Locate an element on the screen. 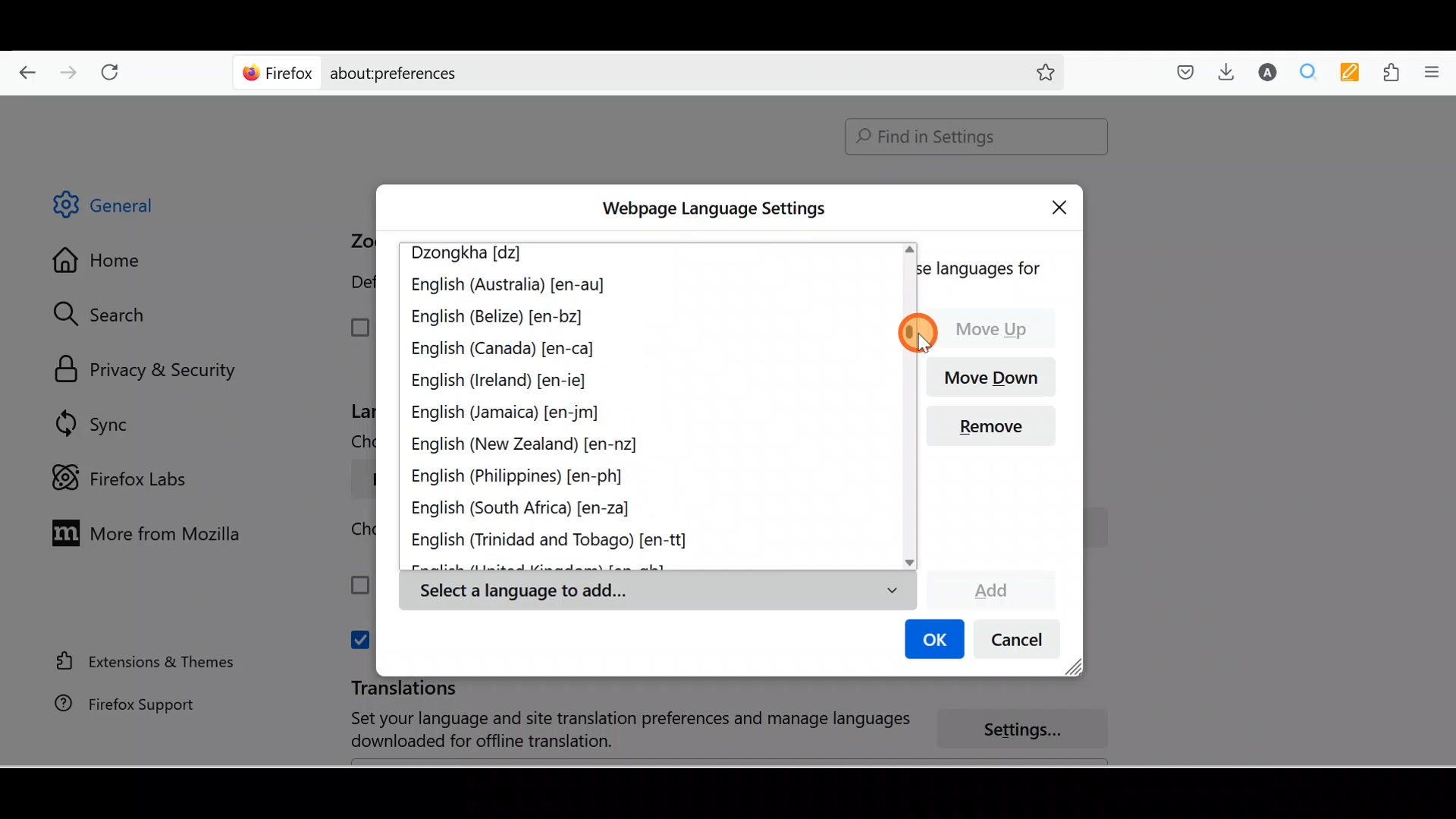  Privacy & security is located at coordinates (152, 371).